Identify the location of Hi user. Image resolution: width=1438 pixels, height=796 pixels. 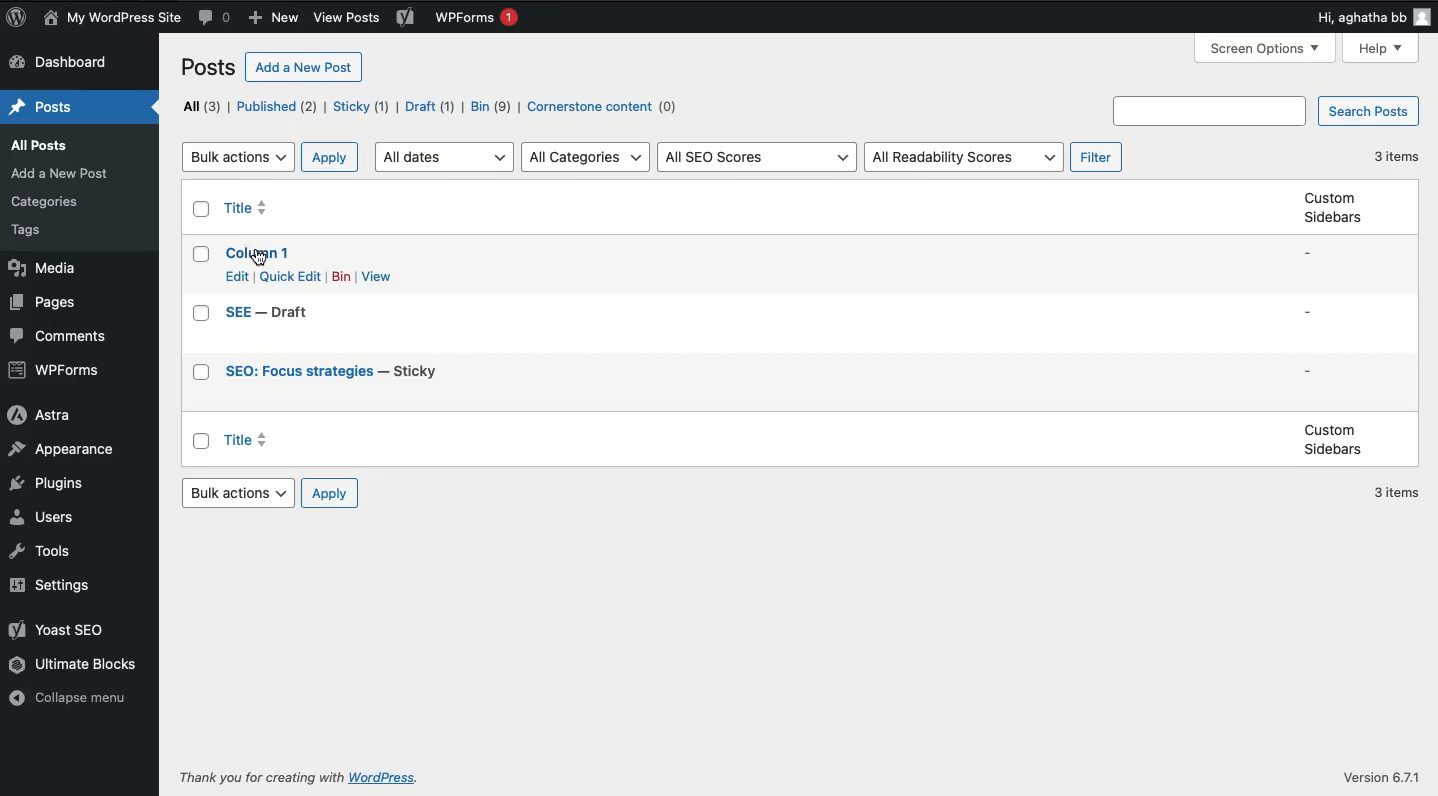
(1375, 18).